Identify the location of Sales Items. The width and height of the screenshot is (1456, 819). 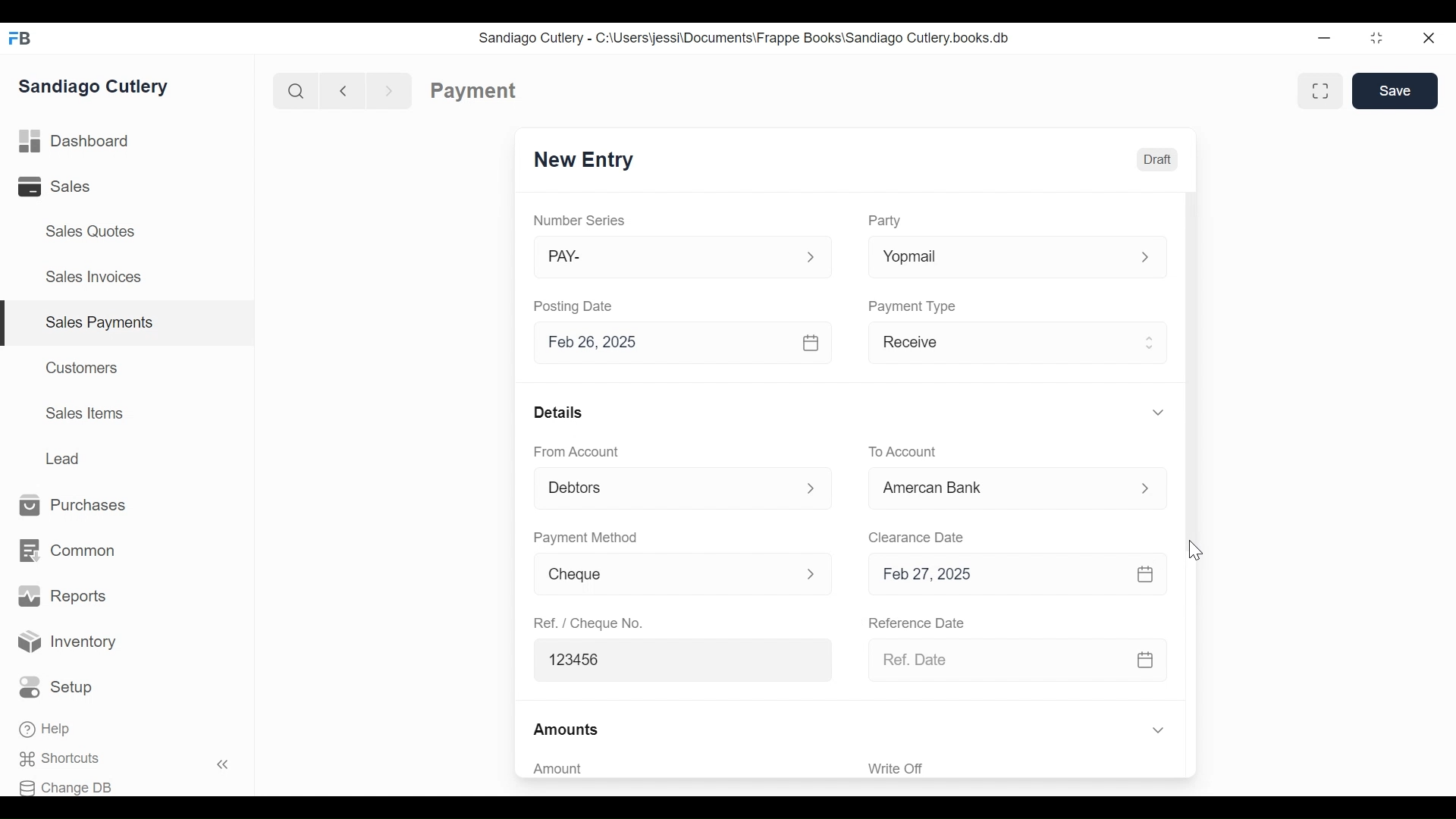
(85, 413).